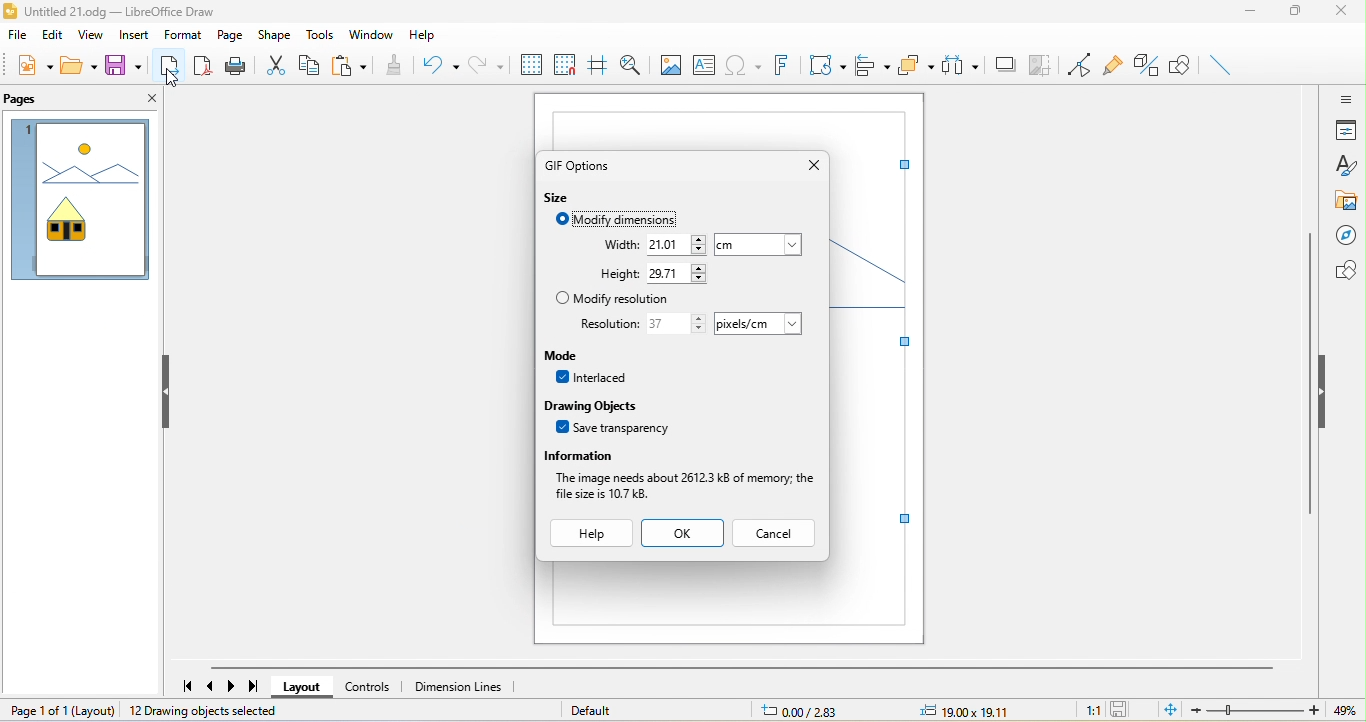 The height and width of the screenshot is (722, 1366). Describe the element at coordinates (1170, 710) in the screenshot. I see `fit page ` at that location.